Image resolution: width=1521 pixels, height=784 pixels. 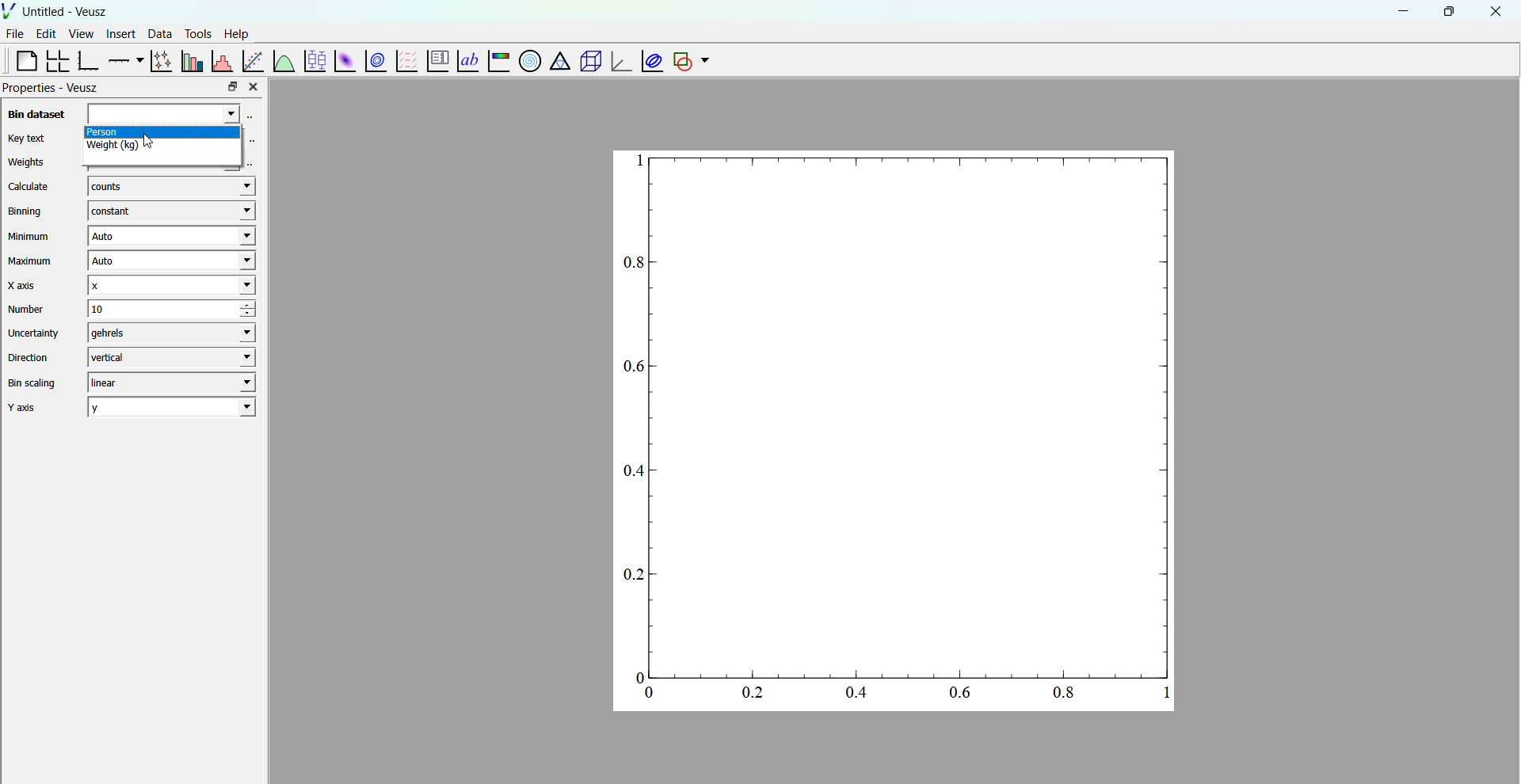 I want to click on blank page, so click(x=20, y=60).